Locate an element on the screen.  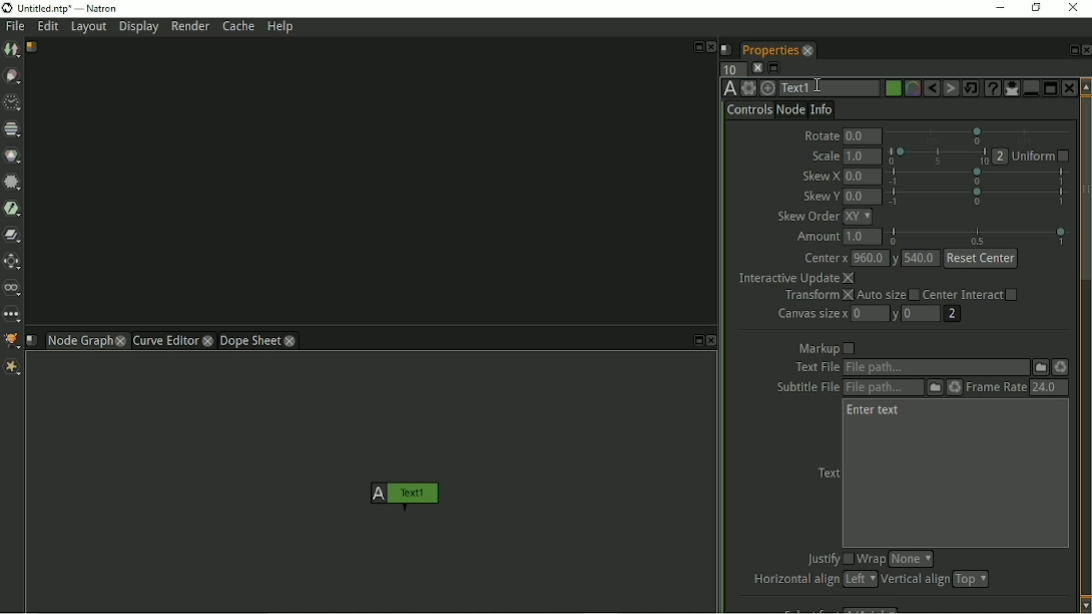
Uniform is located at coordinates (1041, 157).